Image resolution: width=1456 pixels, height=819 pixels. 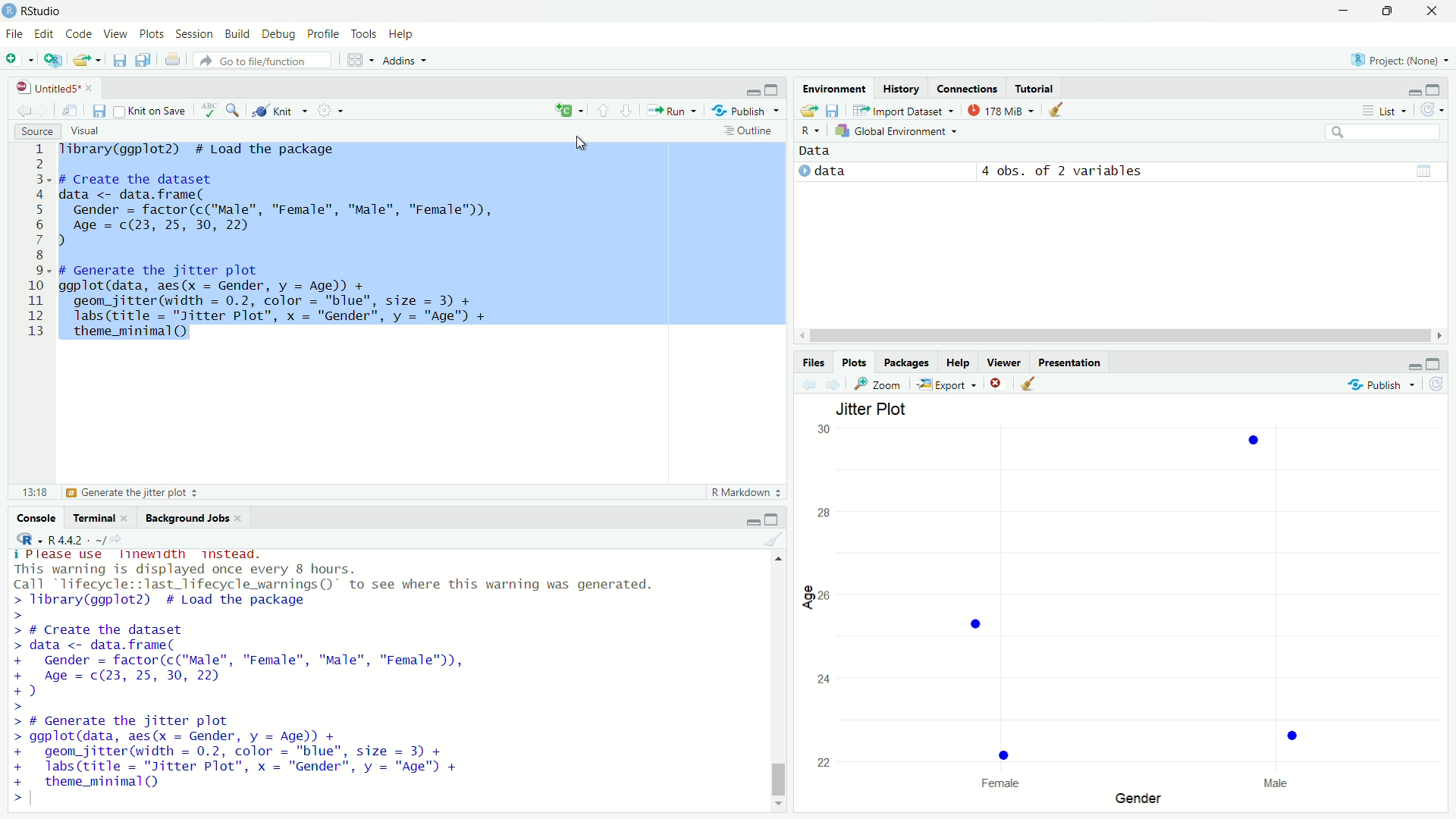 What do you see at coordinates (153, 110) in the screenshot?
I see `knit on save` at bounding box center [153, 110].